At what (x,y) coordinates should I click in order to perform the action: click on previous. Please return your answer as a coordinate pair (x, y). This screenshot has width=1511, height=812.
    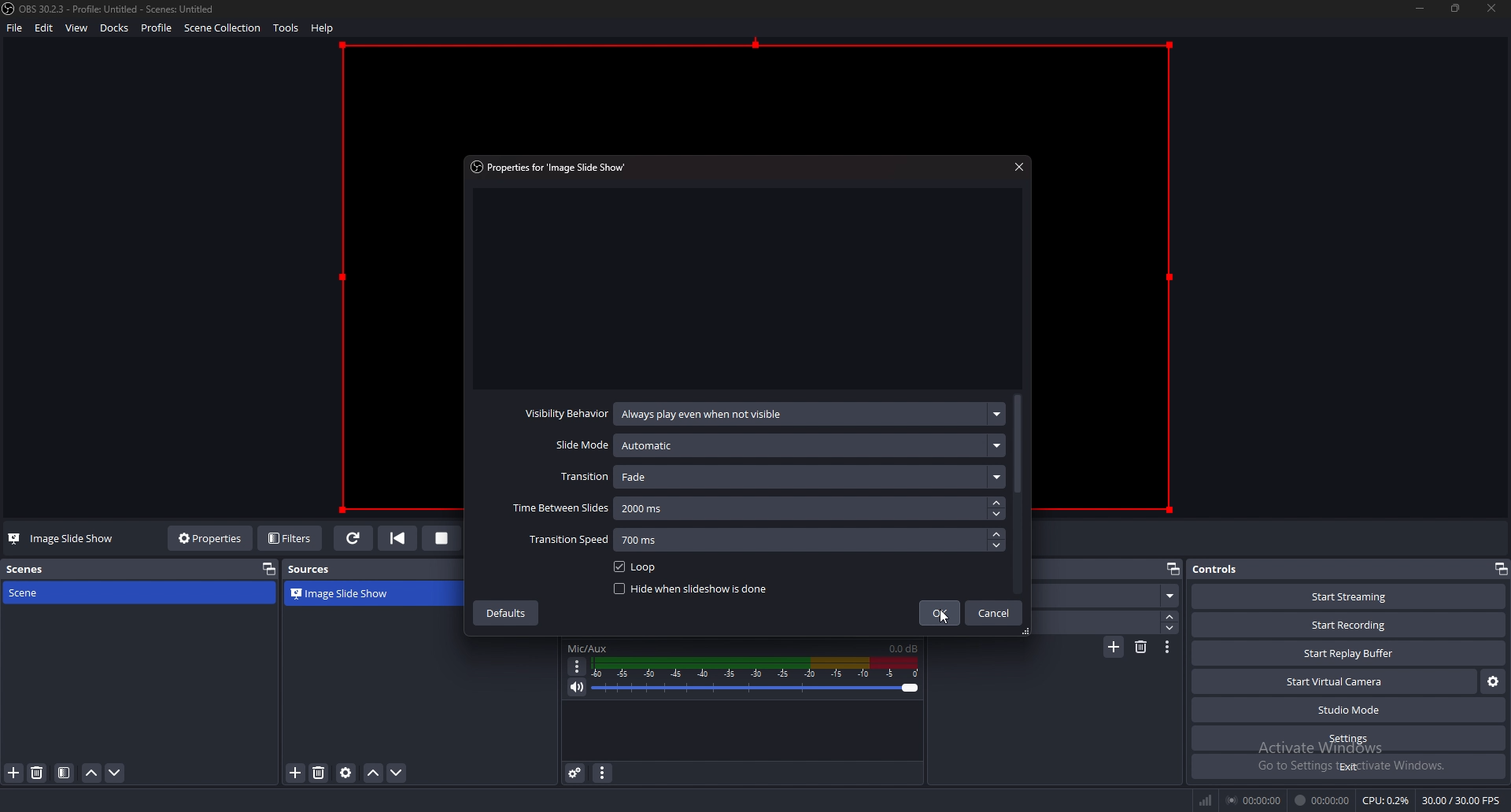
    Looking at the image, I should click on (397, 537).